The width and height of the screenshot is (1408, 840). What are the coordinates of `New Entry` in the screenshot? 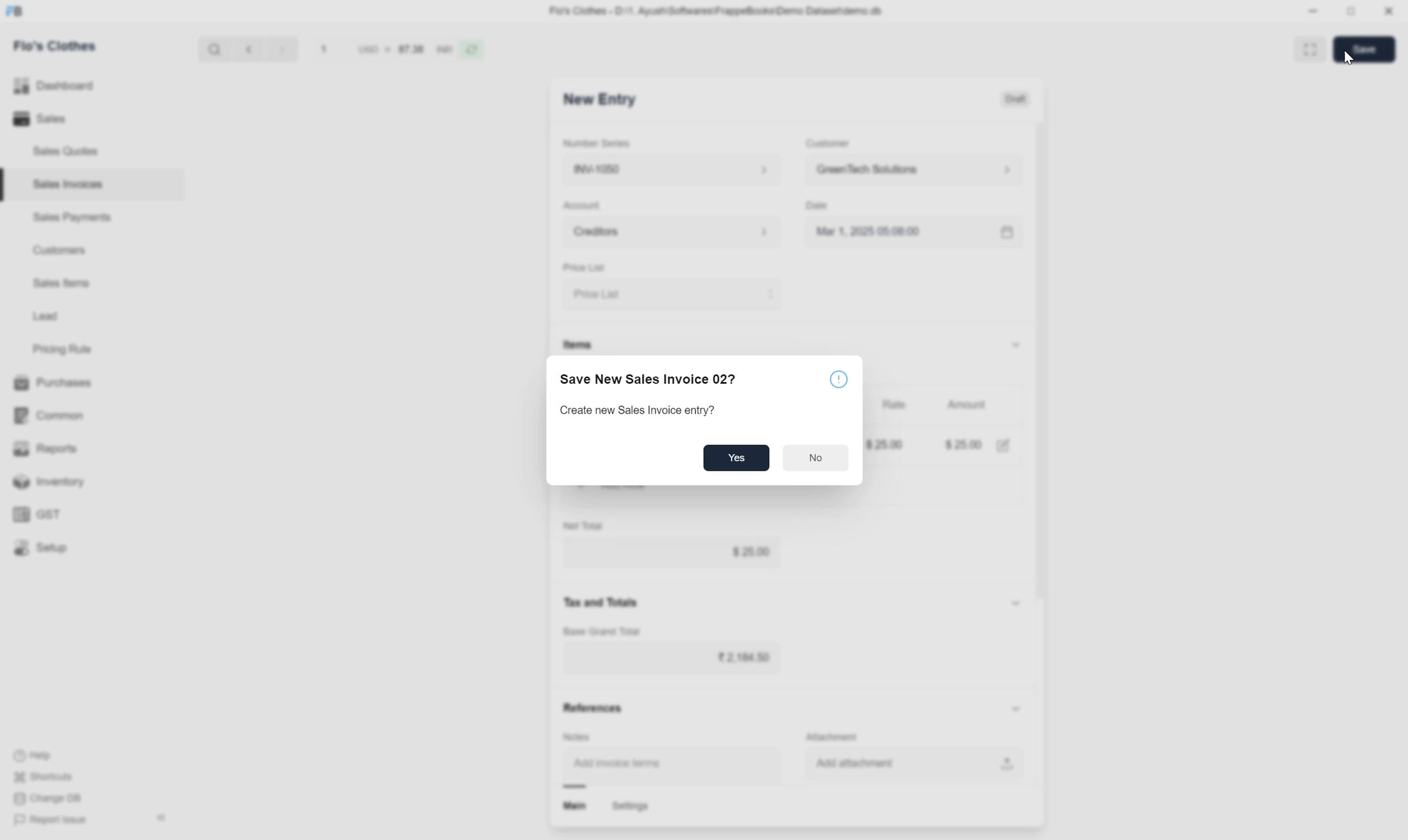 It's located at (609, 100).